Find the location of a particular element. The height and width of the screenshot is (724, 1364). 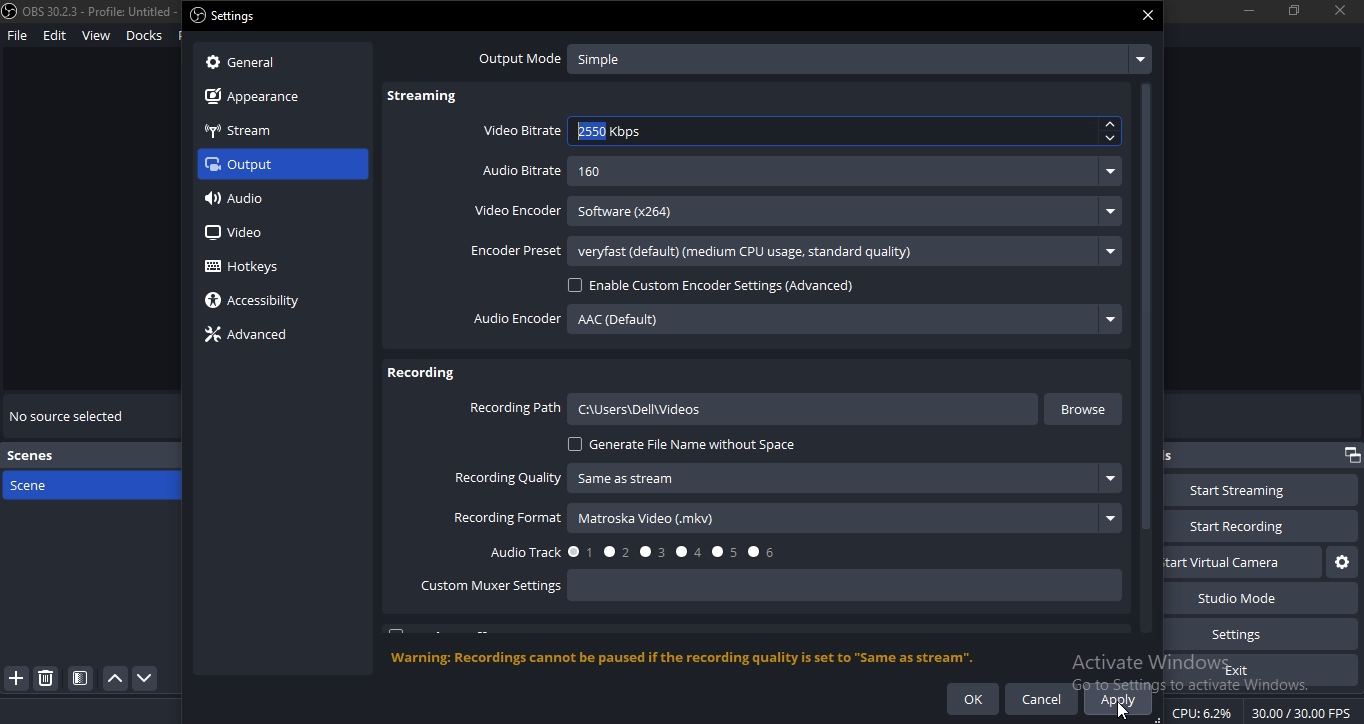

2500 Kbps. is located at coordinates (835, 130).